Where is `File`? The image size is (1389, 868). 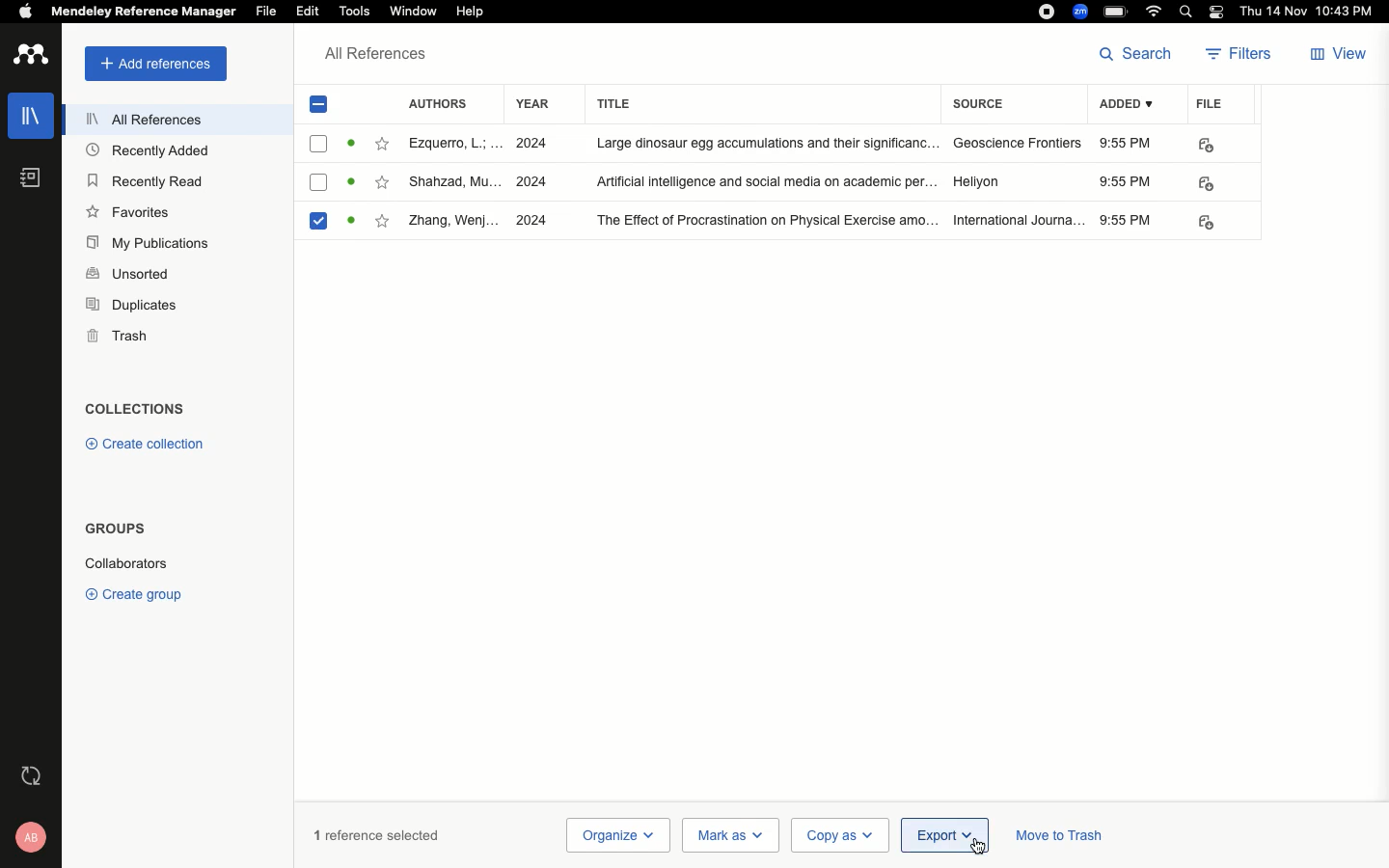
File is located at coordinates (1210, 102).